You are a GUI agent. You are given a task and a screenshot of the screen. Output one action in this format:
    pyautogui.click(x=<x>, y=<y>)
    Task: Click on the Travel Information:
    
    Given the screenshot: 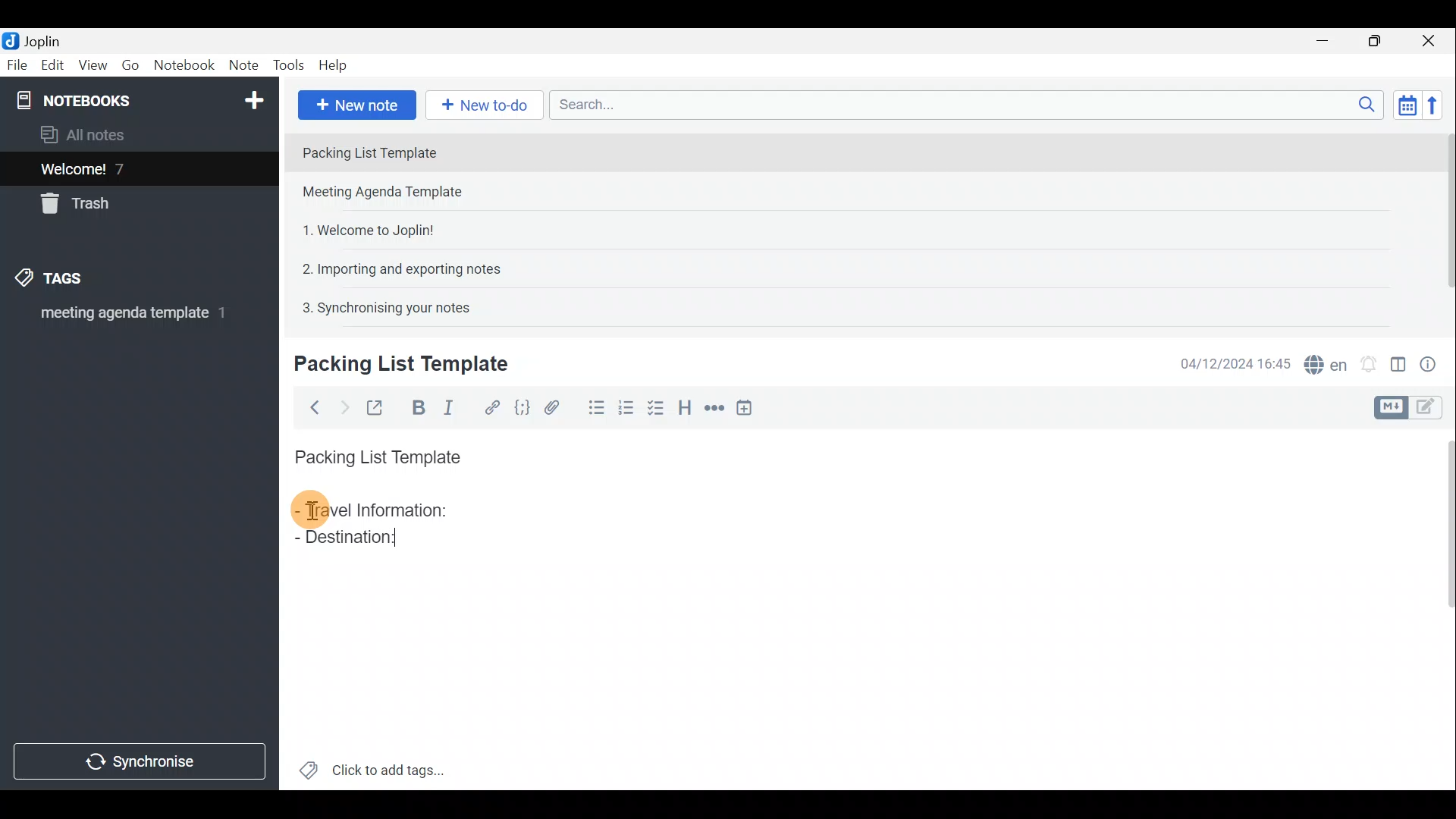 What is the action you would take?
    pyautogui.click(x=384, y=512)
    